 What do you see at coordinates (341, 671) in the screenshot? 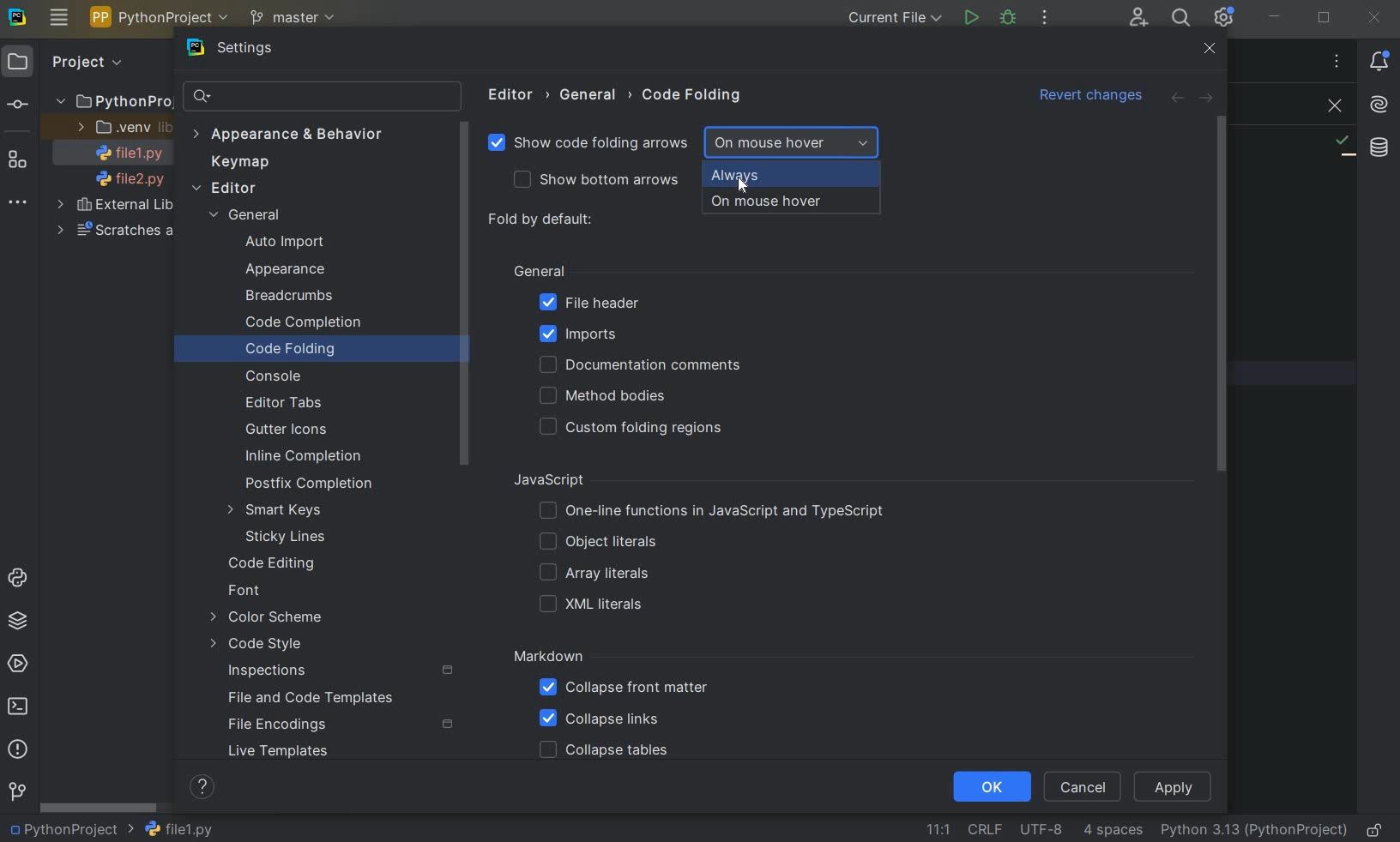
I see `INSPECTIONS` at bounding box center [341, 671].